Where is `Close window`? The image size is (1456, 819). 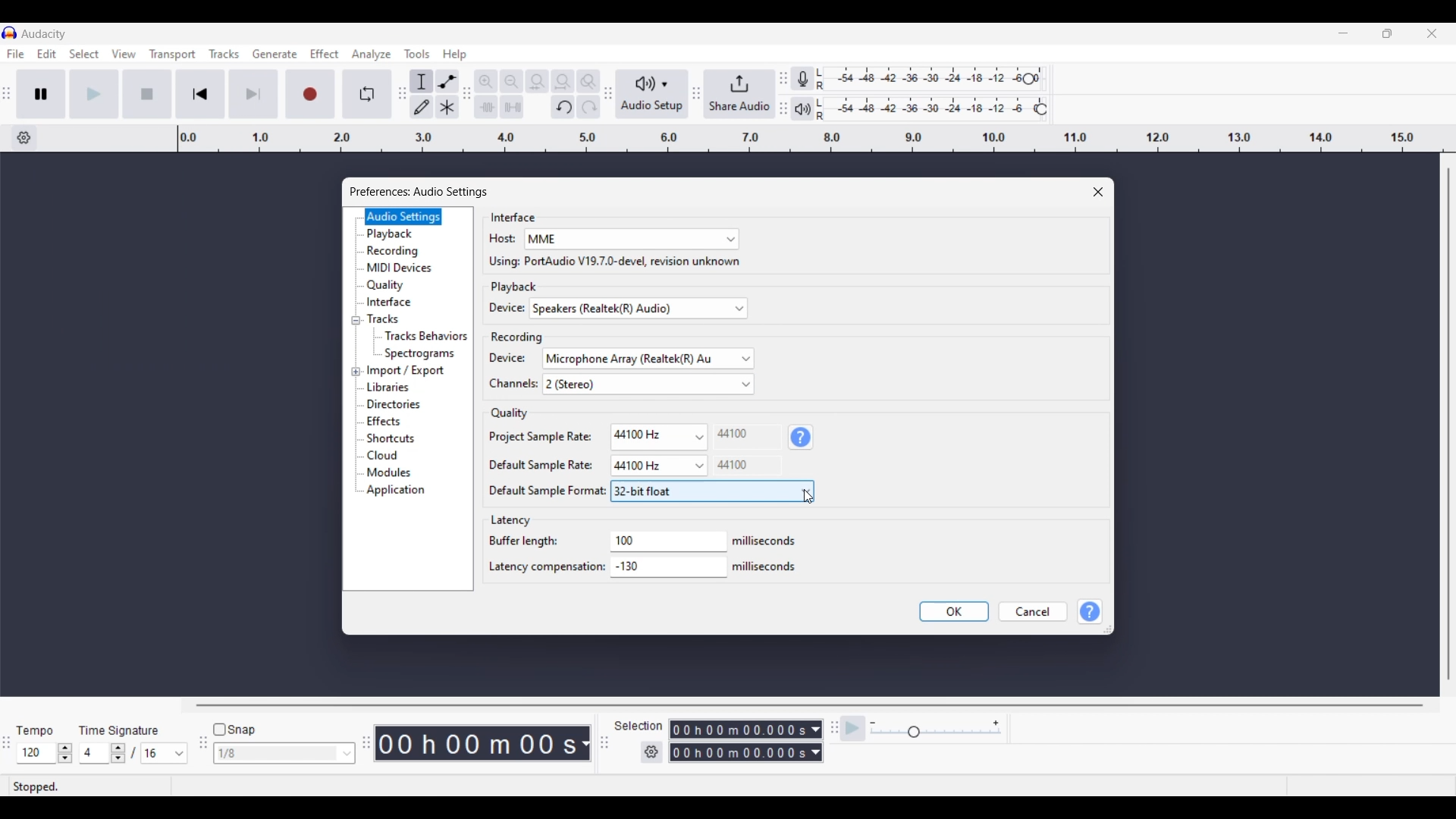
Close window is located at coordinates (1098, 192).